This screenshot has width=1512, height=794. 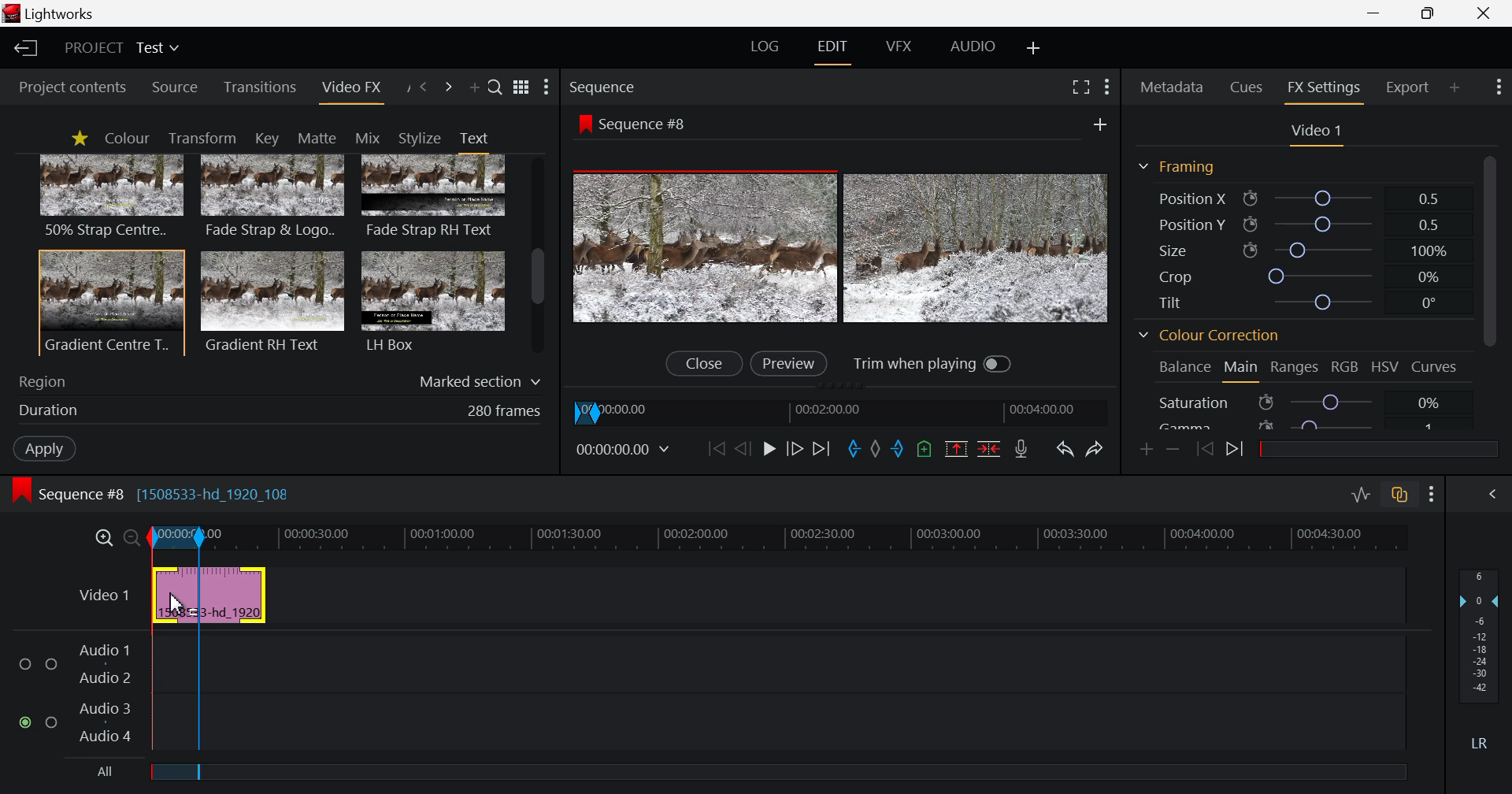 What do you see at coordinates (773, 773) in the screenshot?
I see `All field` at bounding box center [773, 773].